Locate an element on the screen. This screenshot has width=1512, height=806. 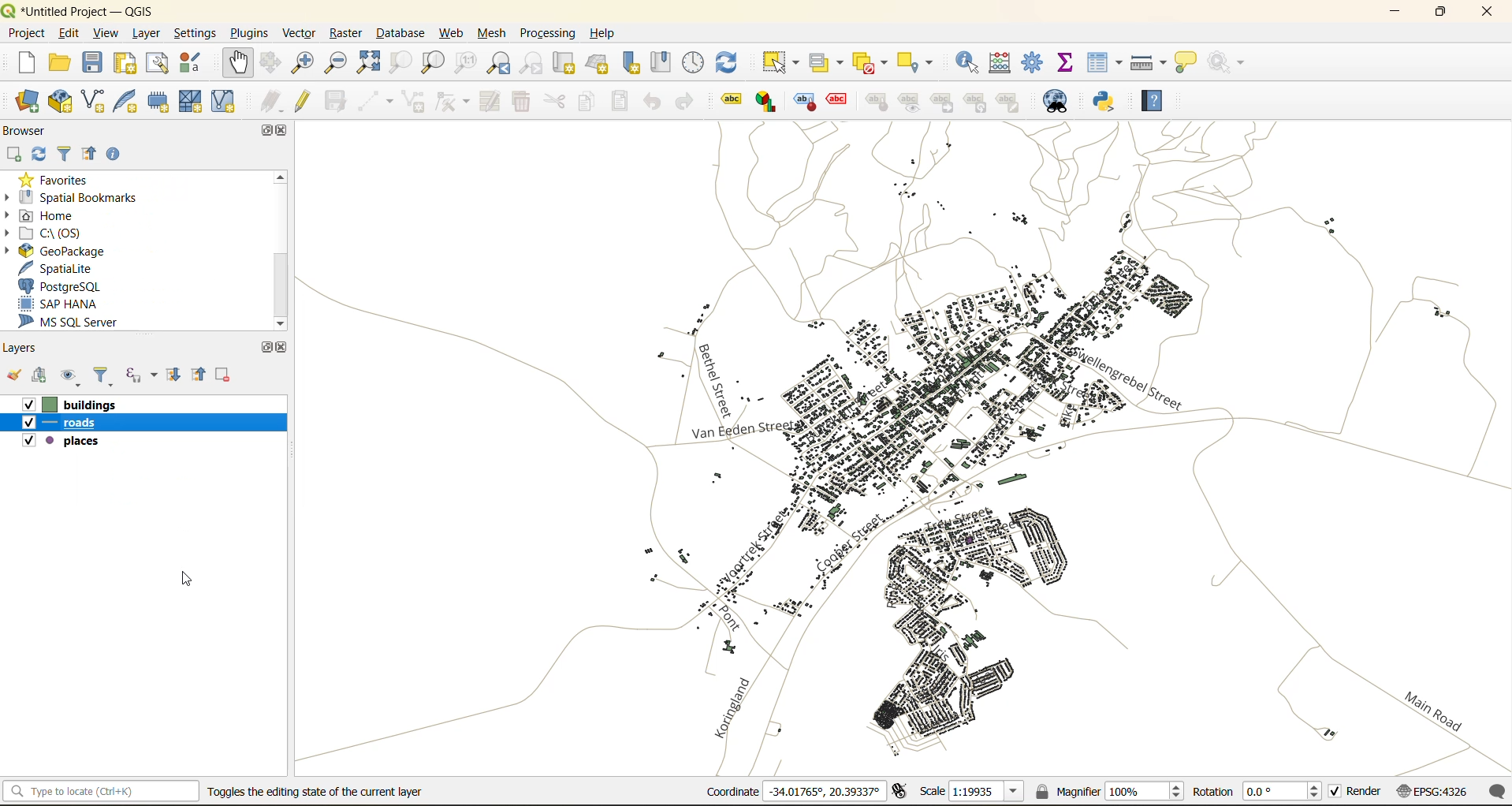
layer labelling options is located at coordinates (731, 102).